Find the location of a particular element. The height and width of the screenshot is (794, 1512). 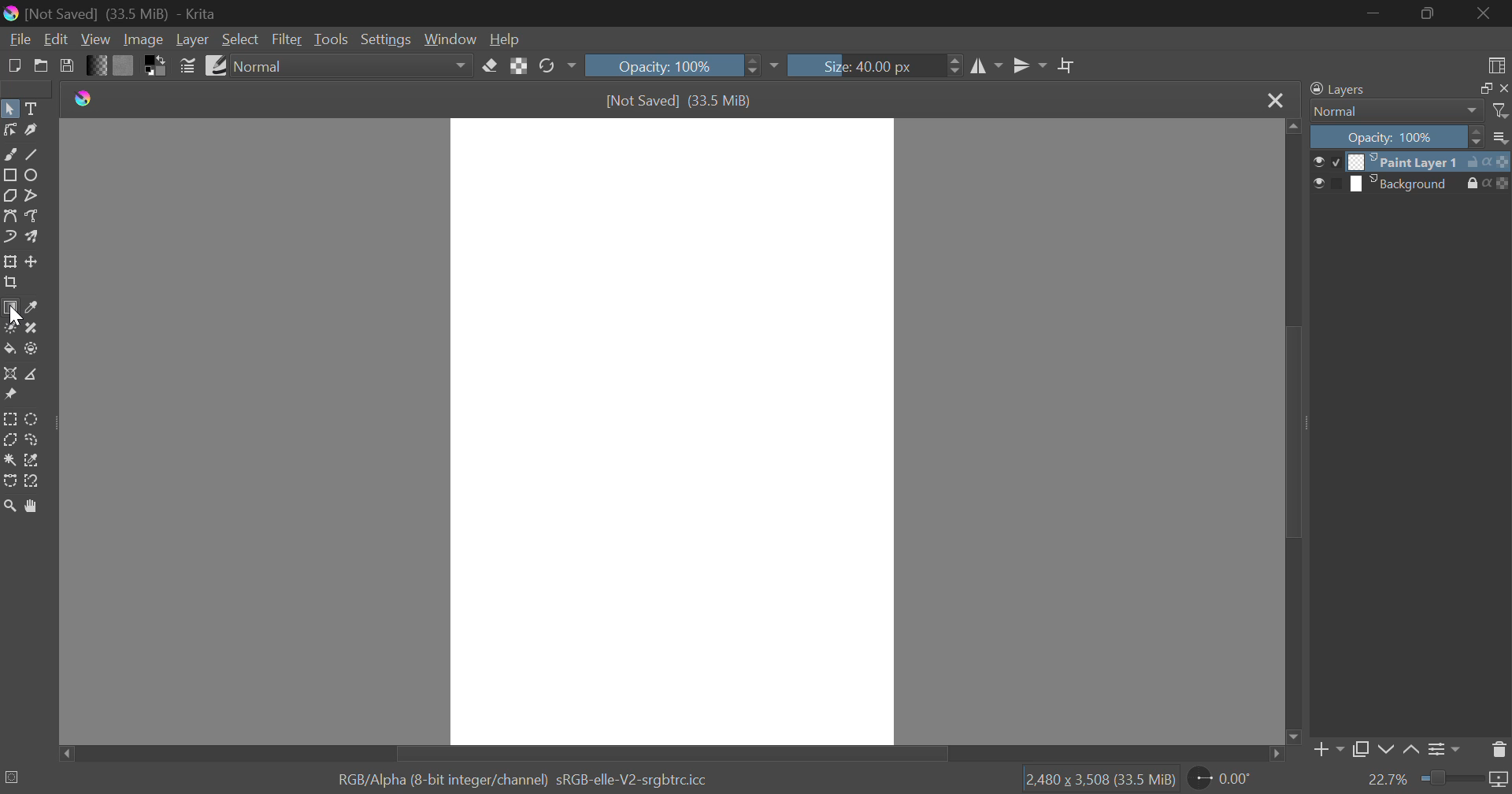

Polygon is located at coordinates (9, 195).